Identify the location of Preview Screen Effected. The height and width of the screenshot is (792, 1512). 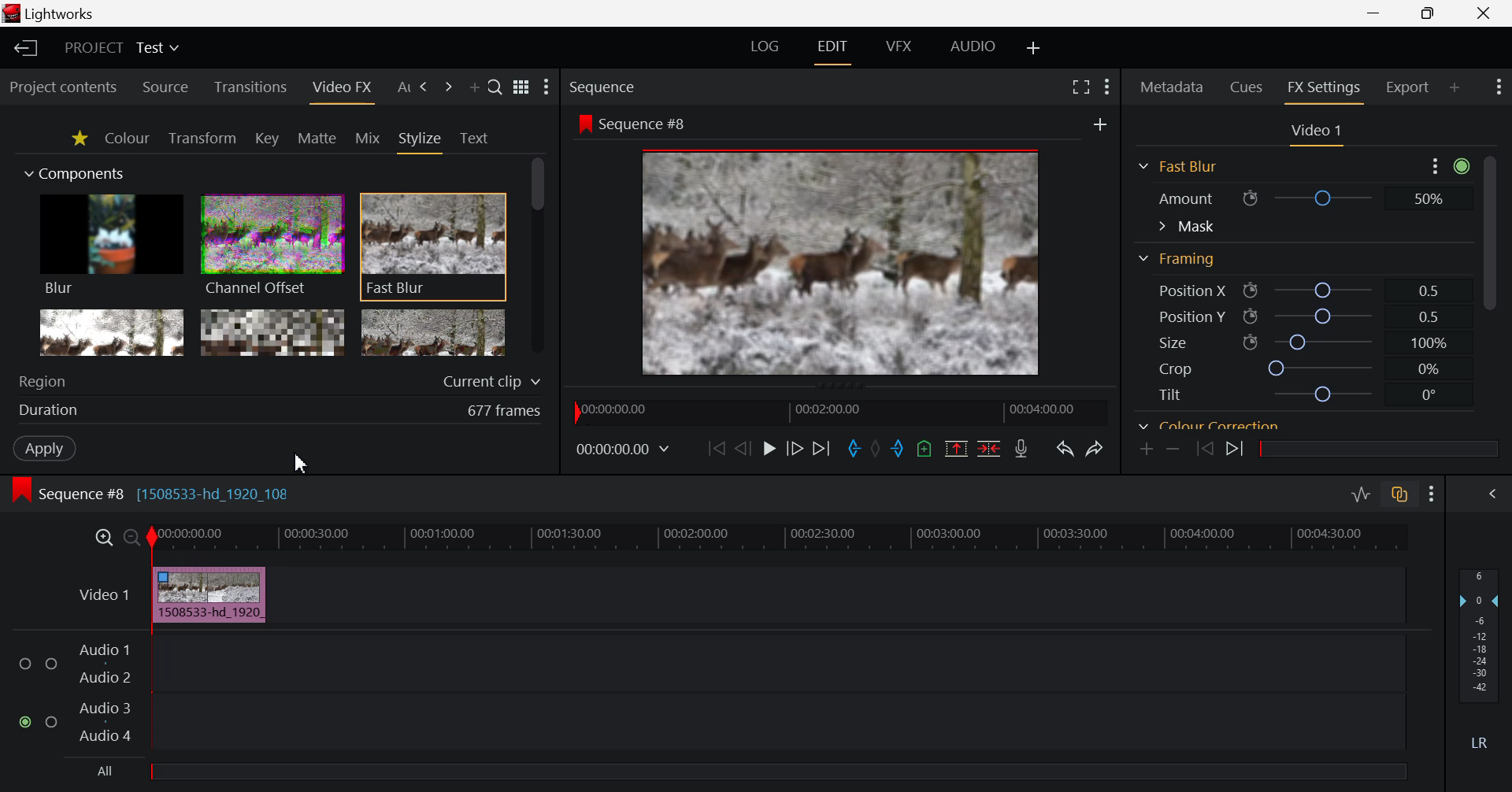
(851, 262).